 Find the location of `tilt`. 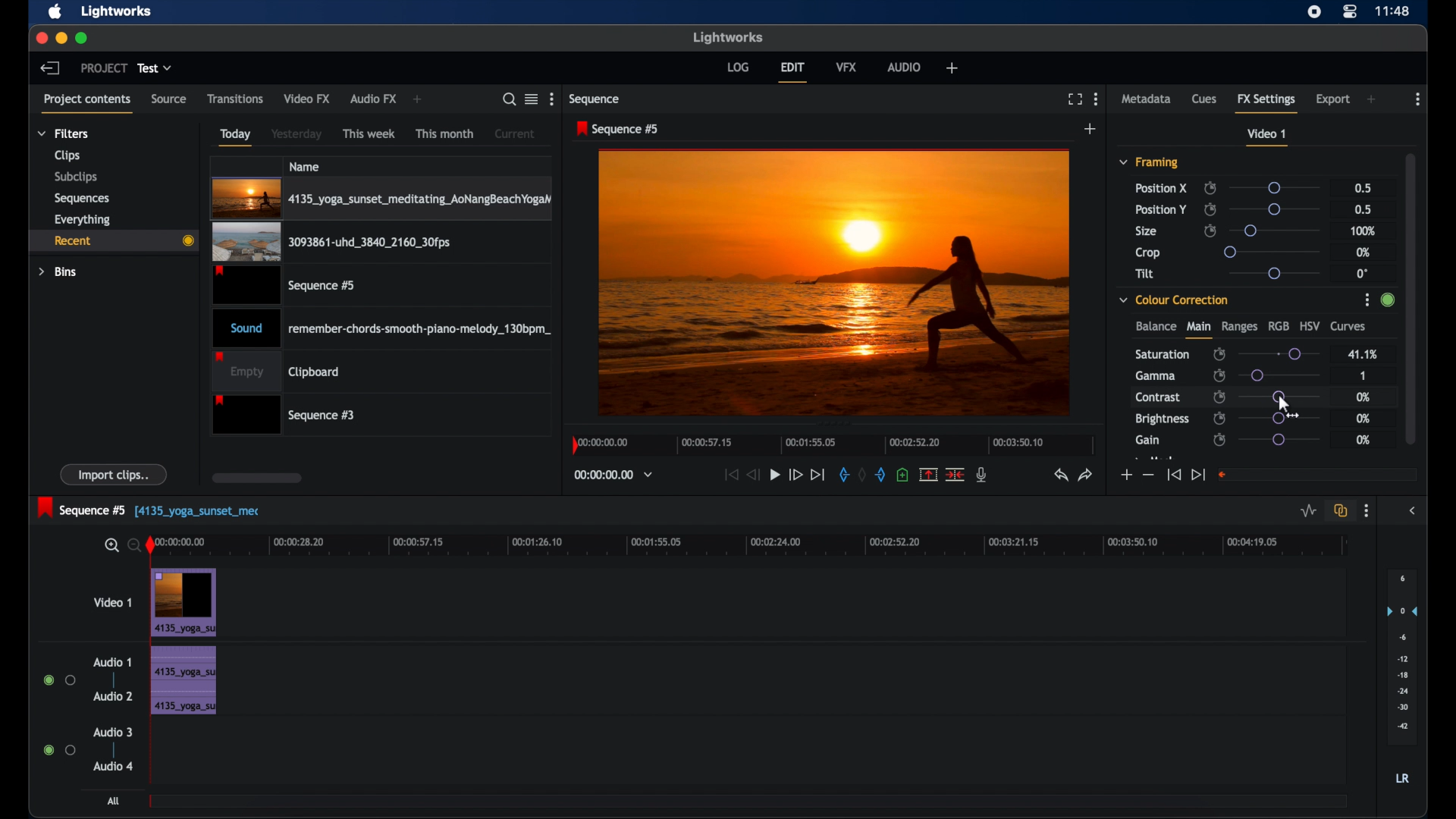

tilt is located at coordinates (1145, 274).